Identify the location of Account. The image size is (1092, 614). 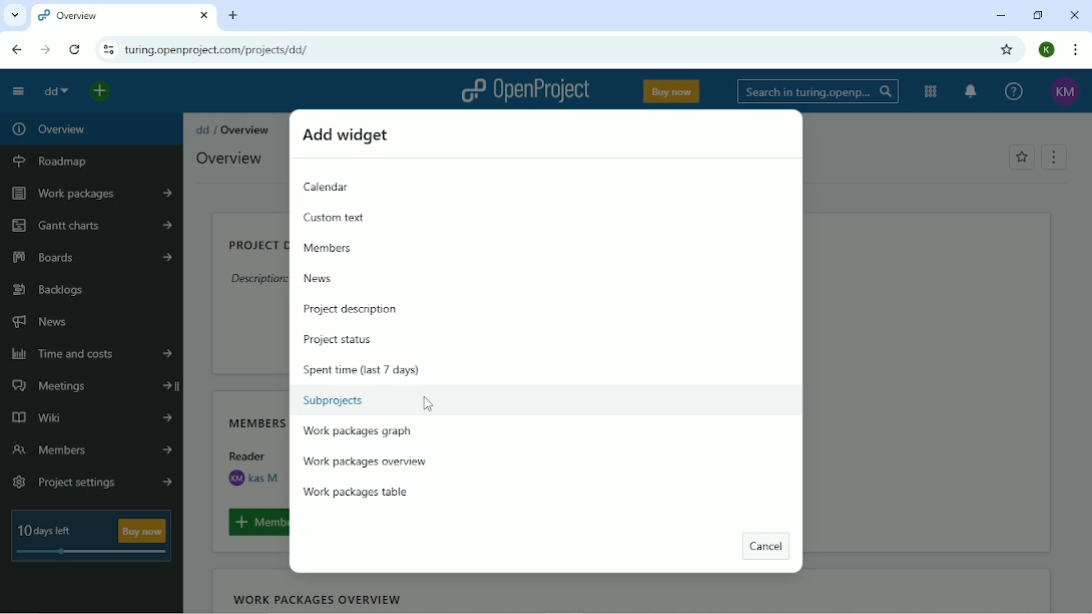
(1046, 50).